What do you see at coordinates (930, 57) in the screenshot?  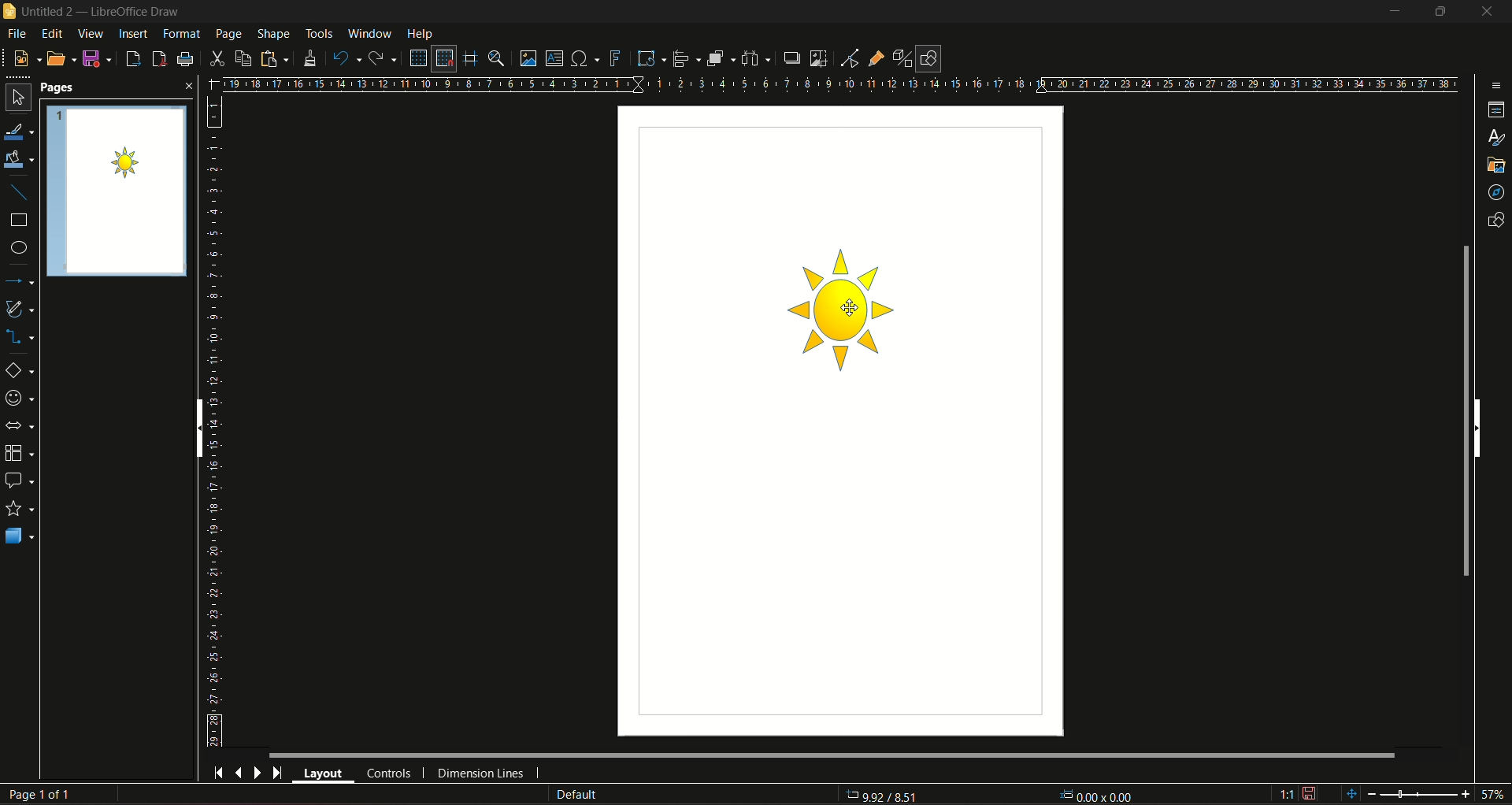 I see `show draw functions` at bounding box center [930, 57].